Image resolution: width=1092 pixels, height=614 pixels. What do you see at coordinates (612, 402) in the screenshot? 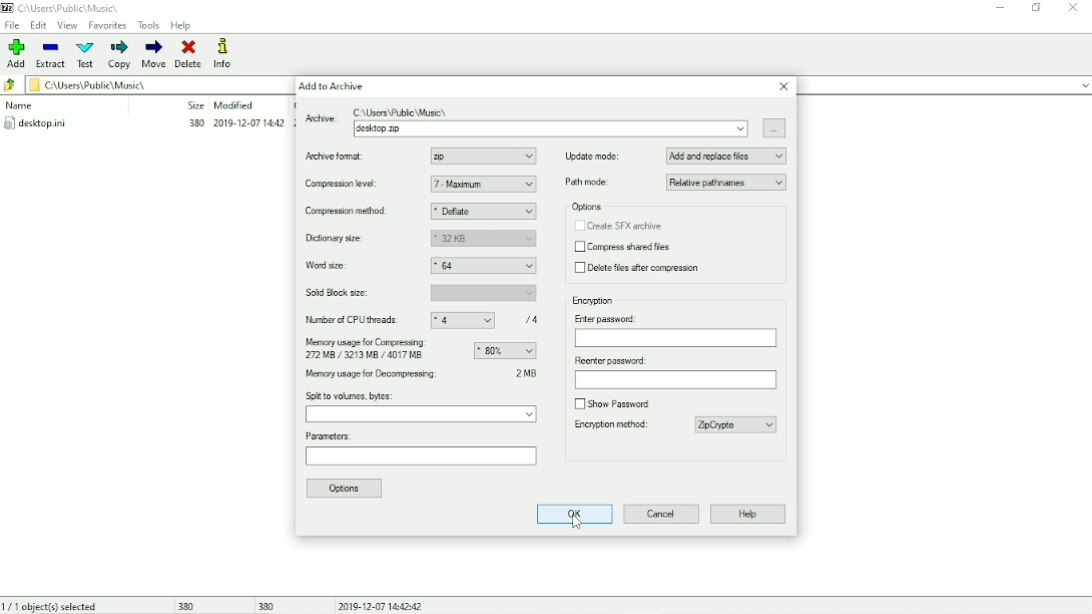
I see `Show password` at bounding box center [612, 402].